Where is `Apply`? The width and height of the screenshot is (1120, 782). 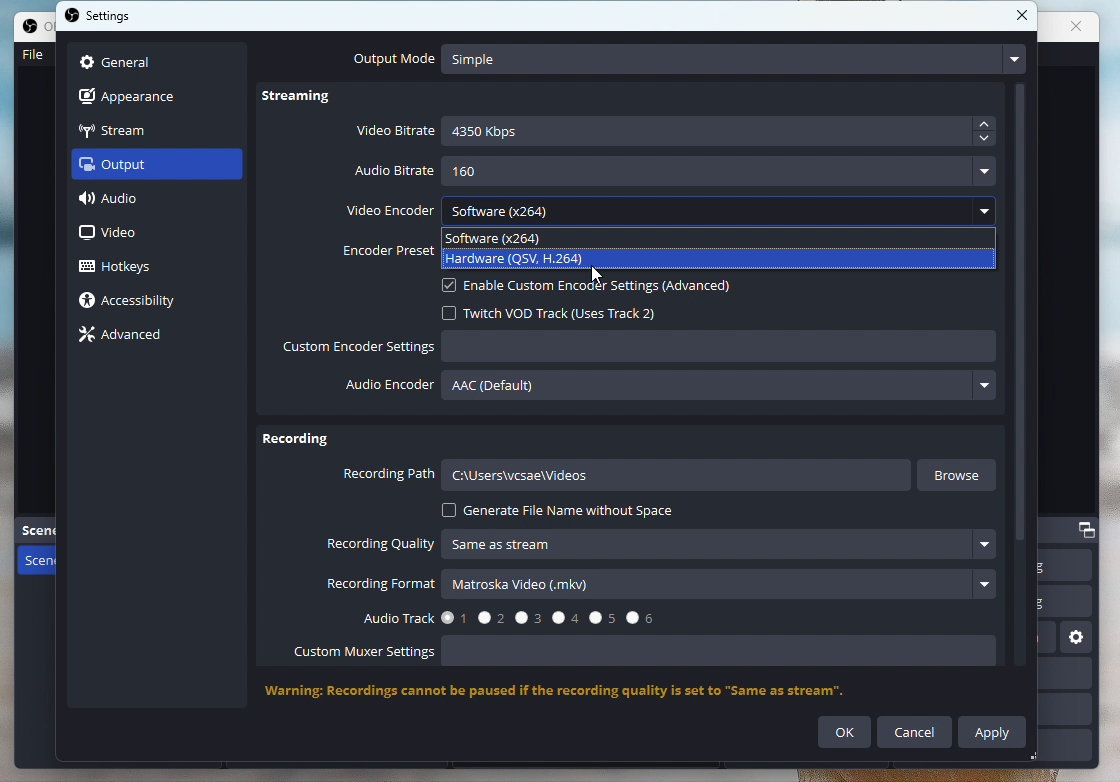 Apply is located at coordinates (994, 731).